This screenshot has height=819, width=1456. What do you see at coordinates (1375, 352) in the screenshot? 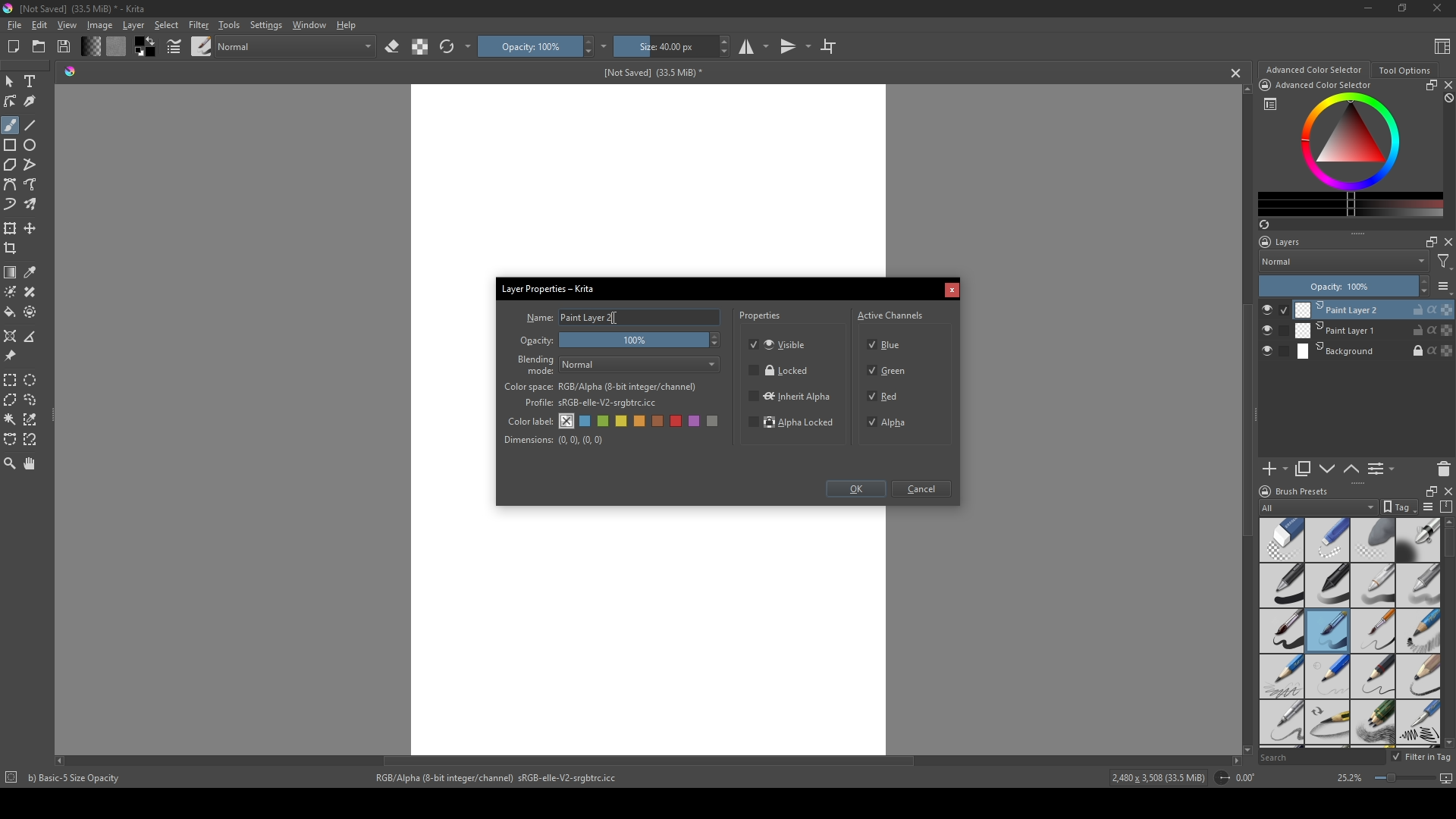
I see `Background` at bounding box center [1375, 352].